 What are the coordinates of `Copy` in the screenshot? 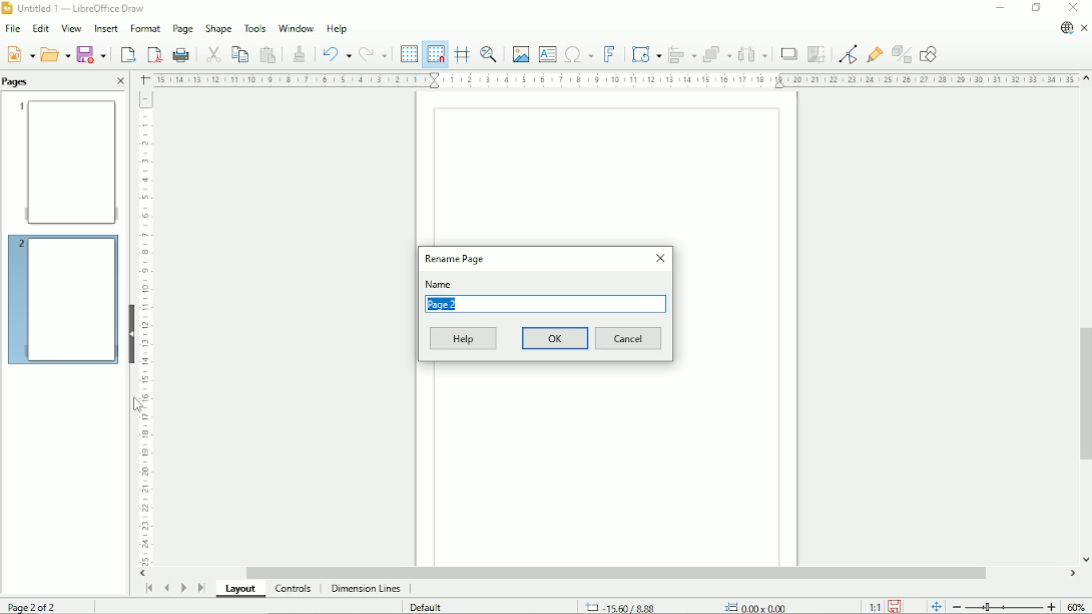 It's located at (239, 53).